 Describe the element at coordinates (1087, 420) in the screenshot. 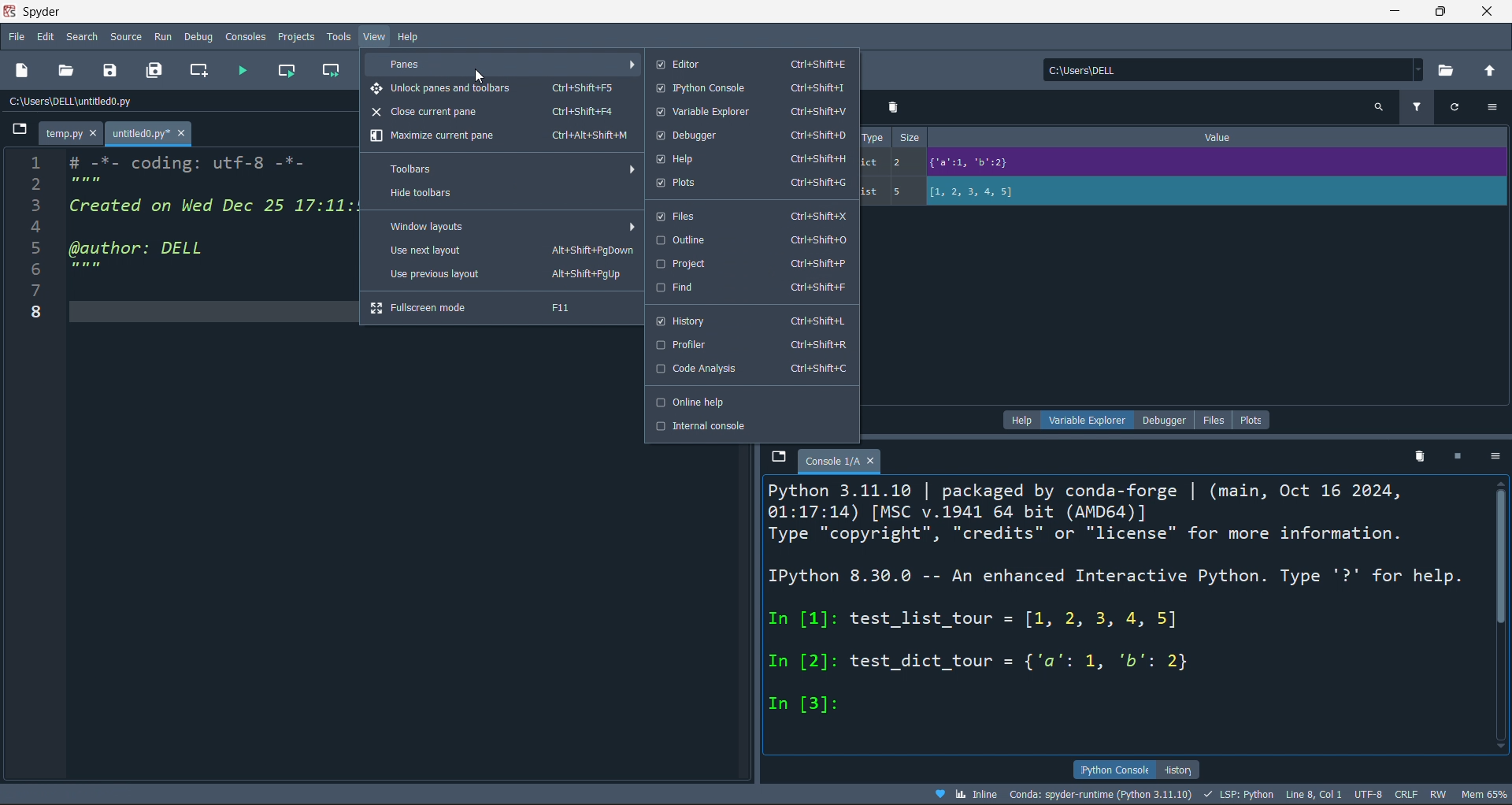

I see `variable explorer` at that location.